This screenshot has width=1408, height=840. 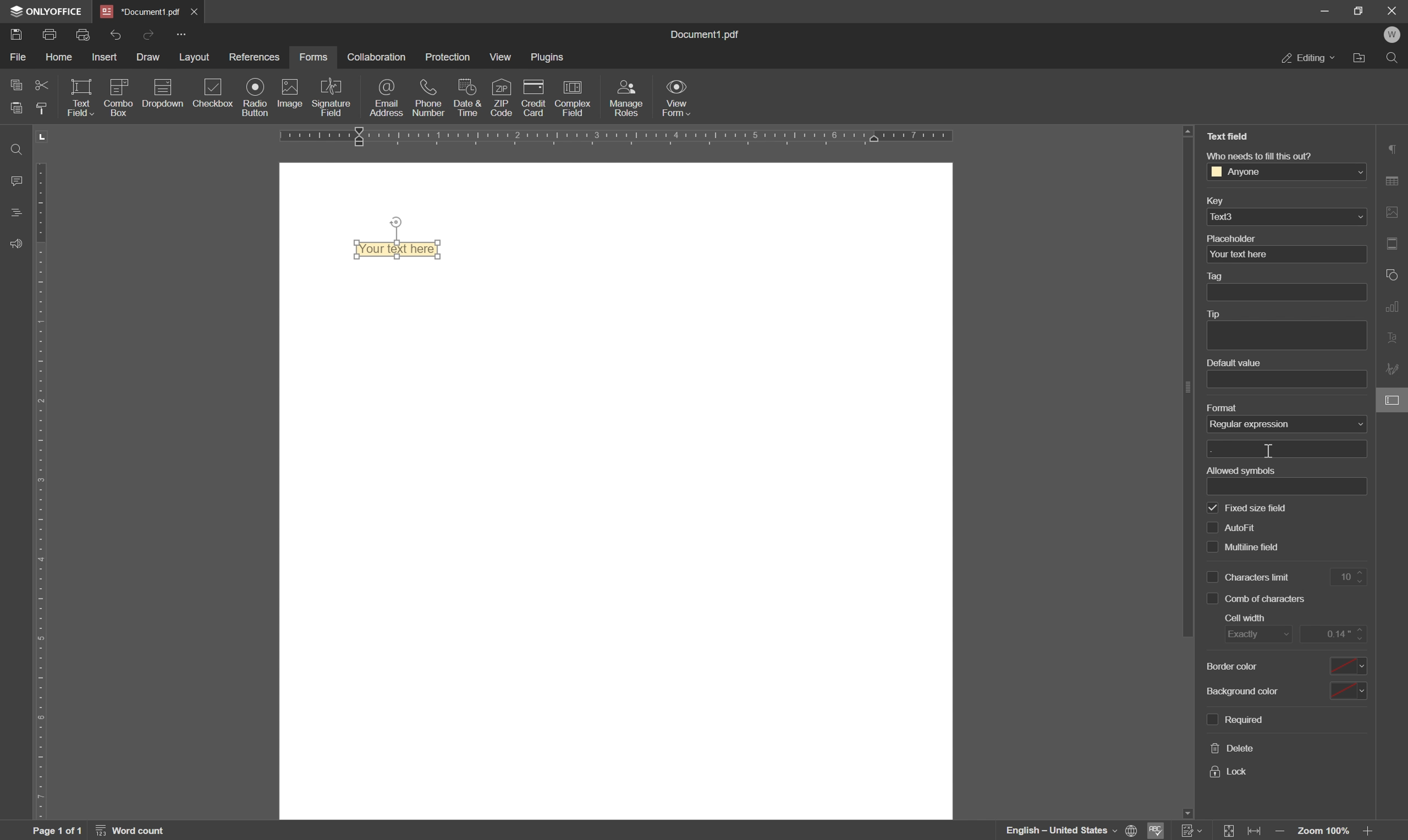 I want to click on fit to slide, so click(x=1230, y=831).